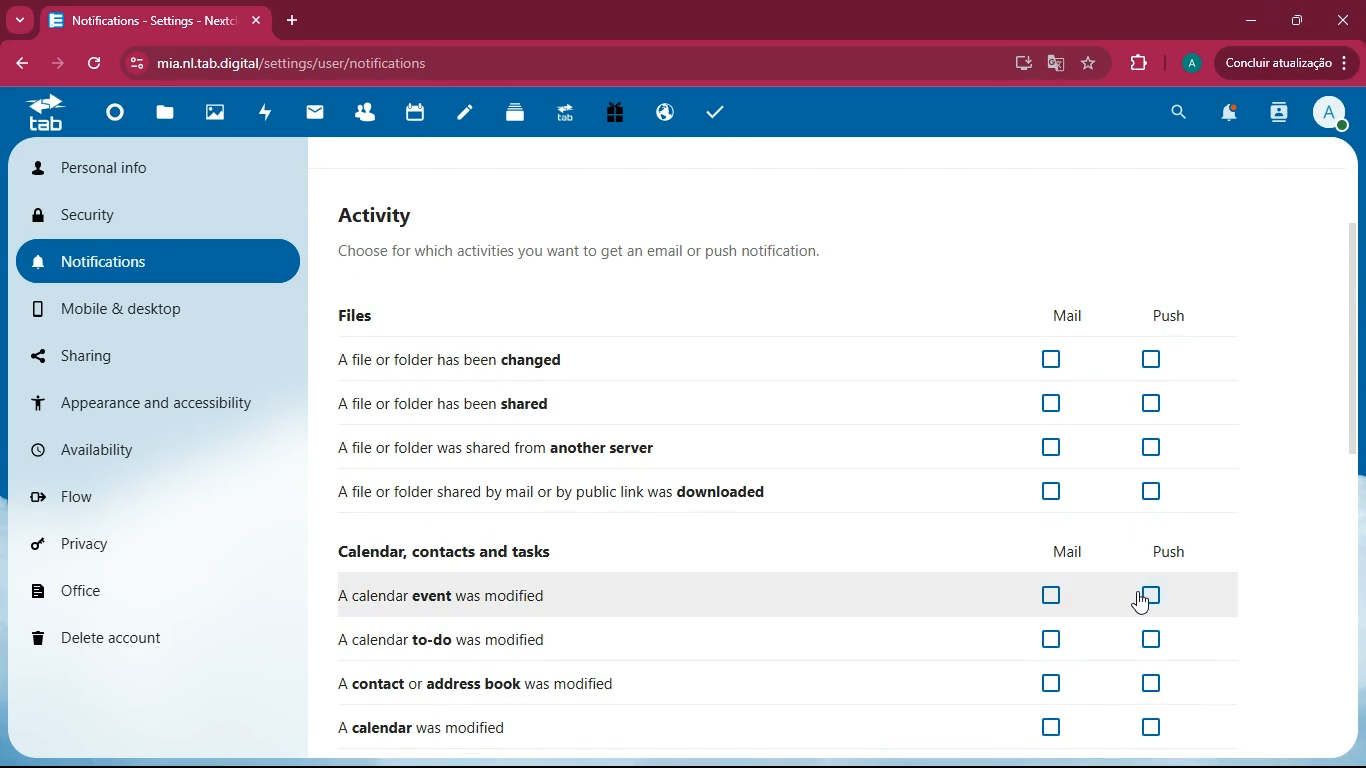 This screenshot has width=1366, height=768. Describe the element at coordinates (1069, 552) in the screenshot. I see `mail` at that location.